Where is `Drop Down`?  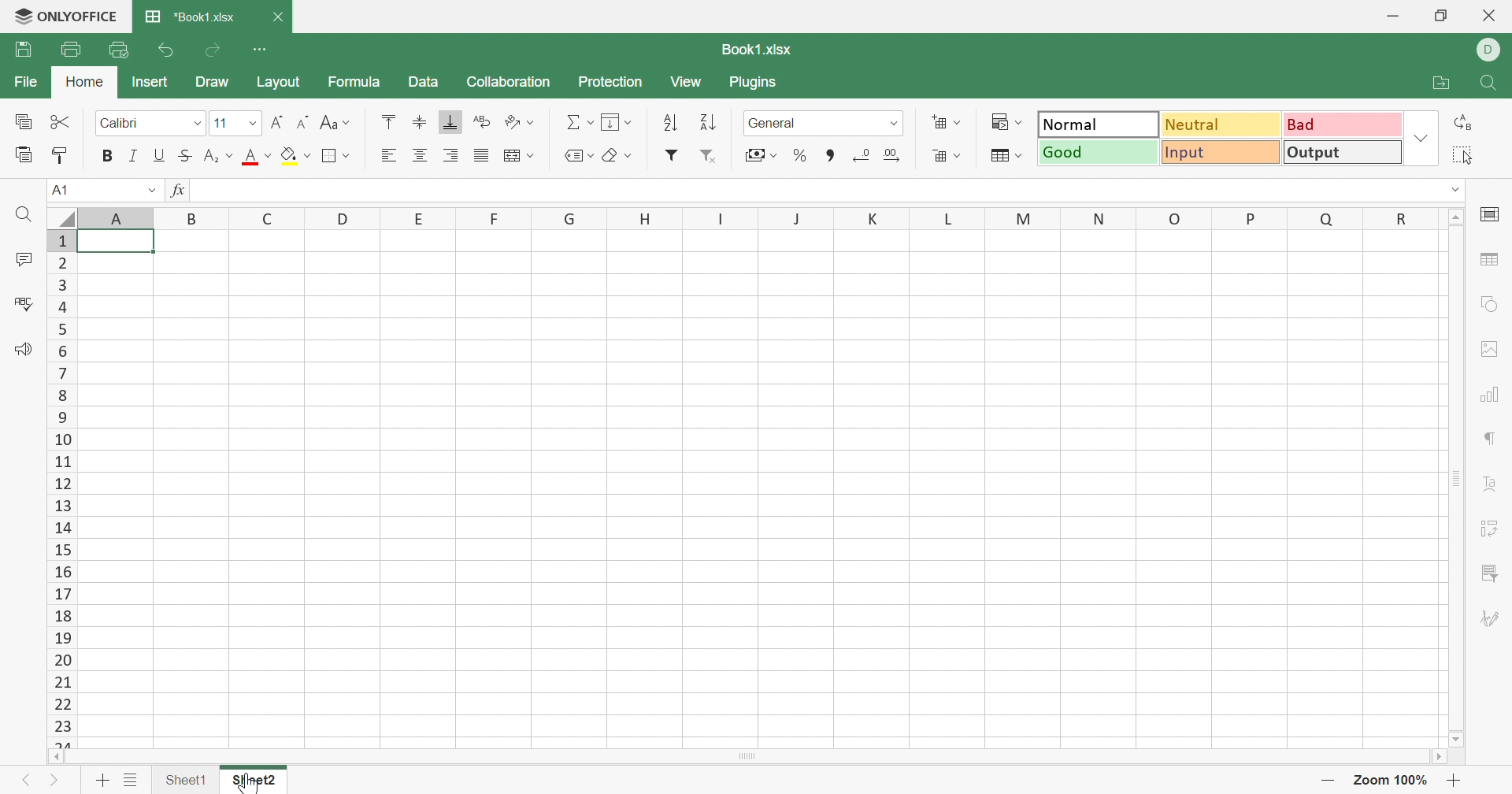
Drop Down is located at coordinates (535, 121).